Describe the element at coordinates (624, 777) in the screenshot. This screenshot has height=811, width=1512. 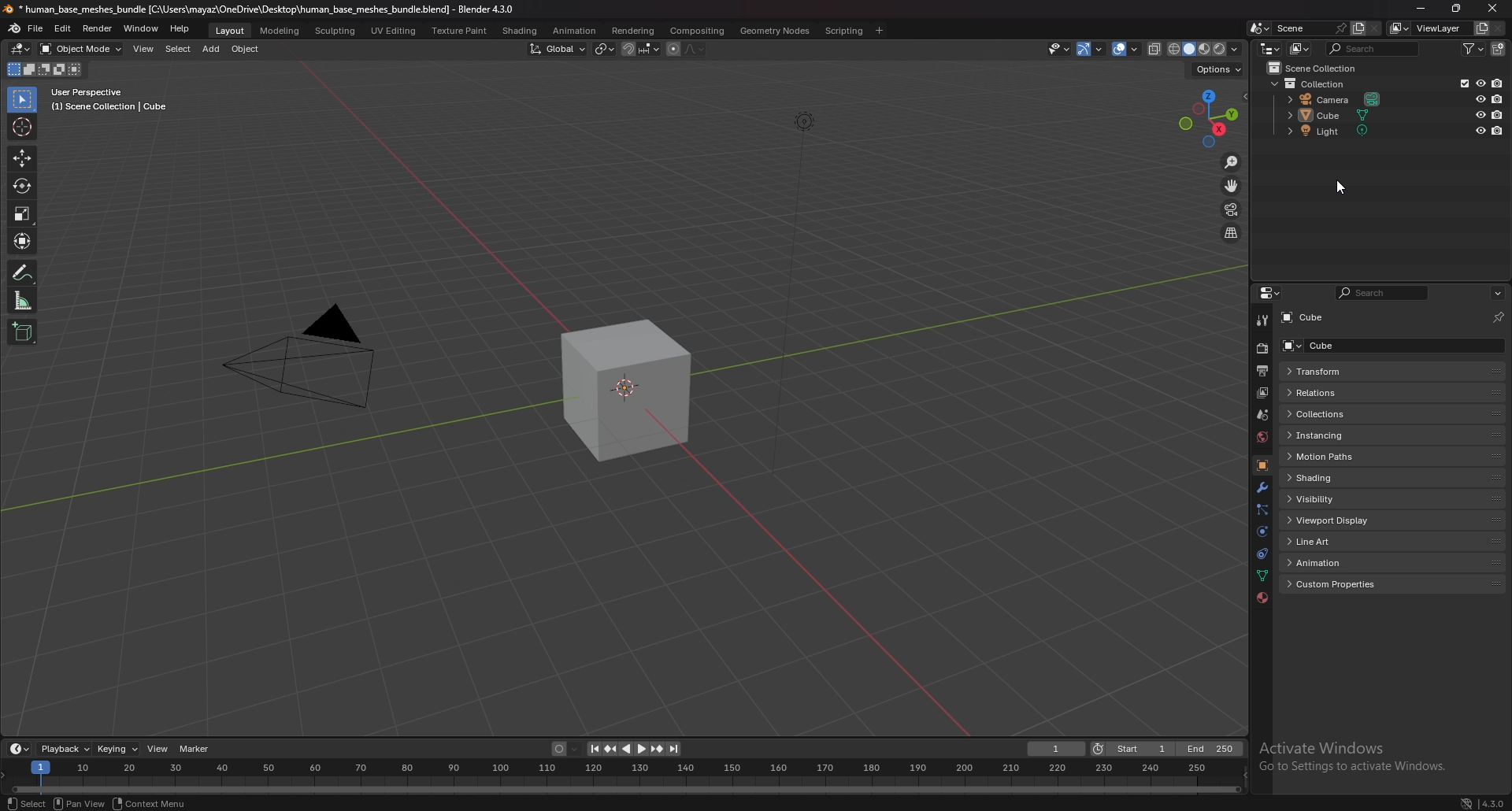
I see `seek` at that location.